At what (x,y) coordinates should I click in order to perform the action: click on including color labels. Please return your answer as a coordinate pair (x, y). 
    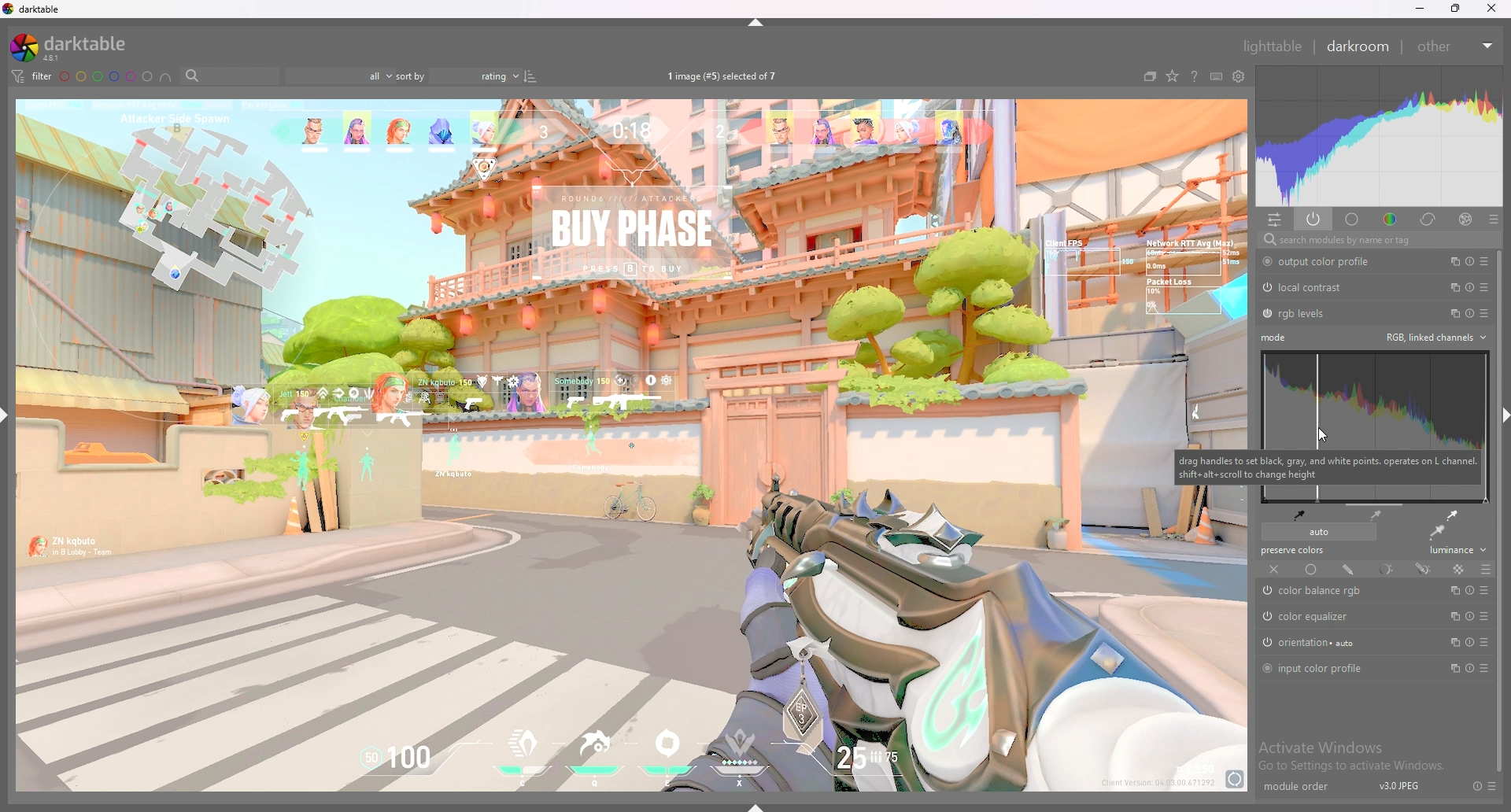
    Looking at the image, I should click on (166, 78).